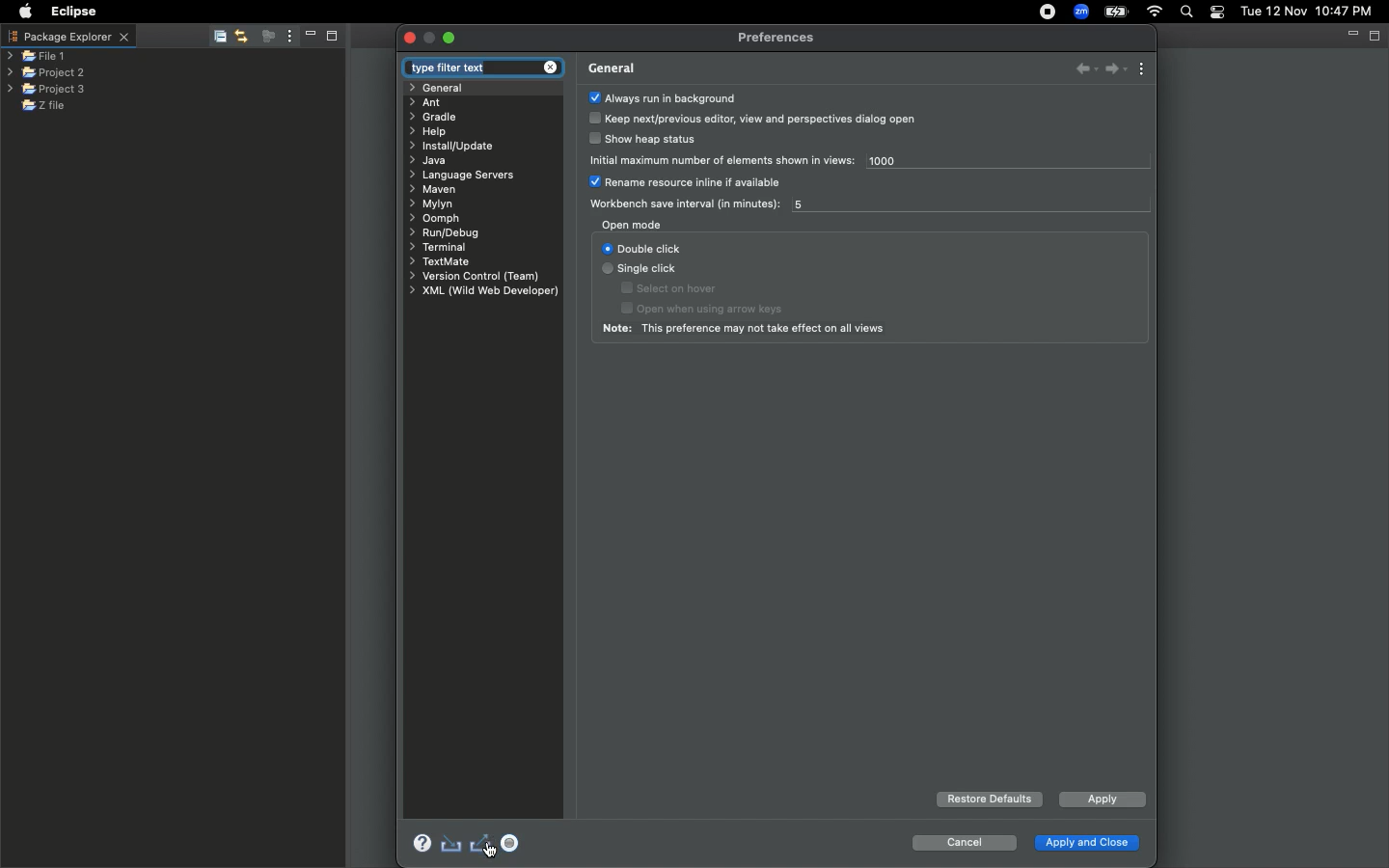 This screenshot has height=868, width=1389. Describe the element at coordinates (431, 204) in the screenshot. I see `Mylyn` at that location.